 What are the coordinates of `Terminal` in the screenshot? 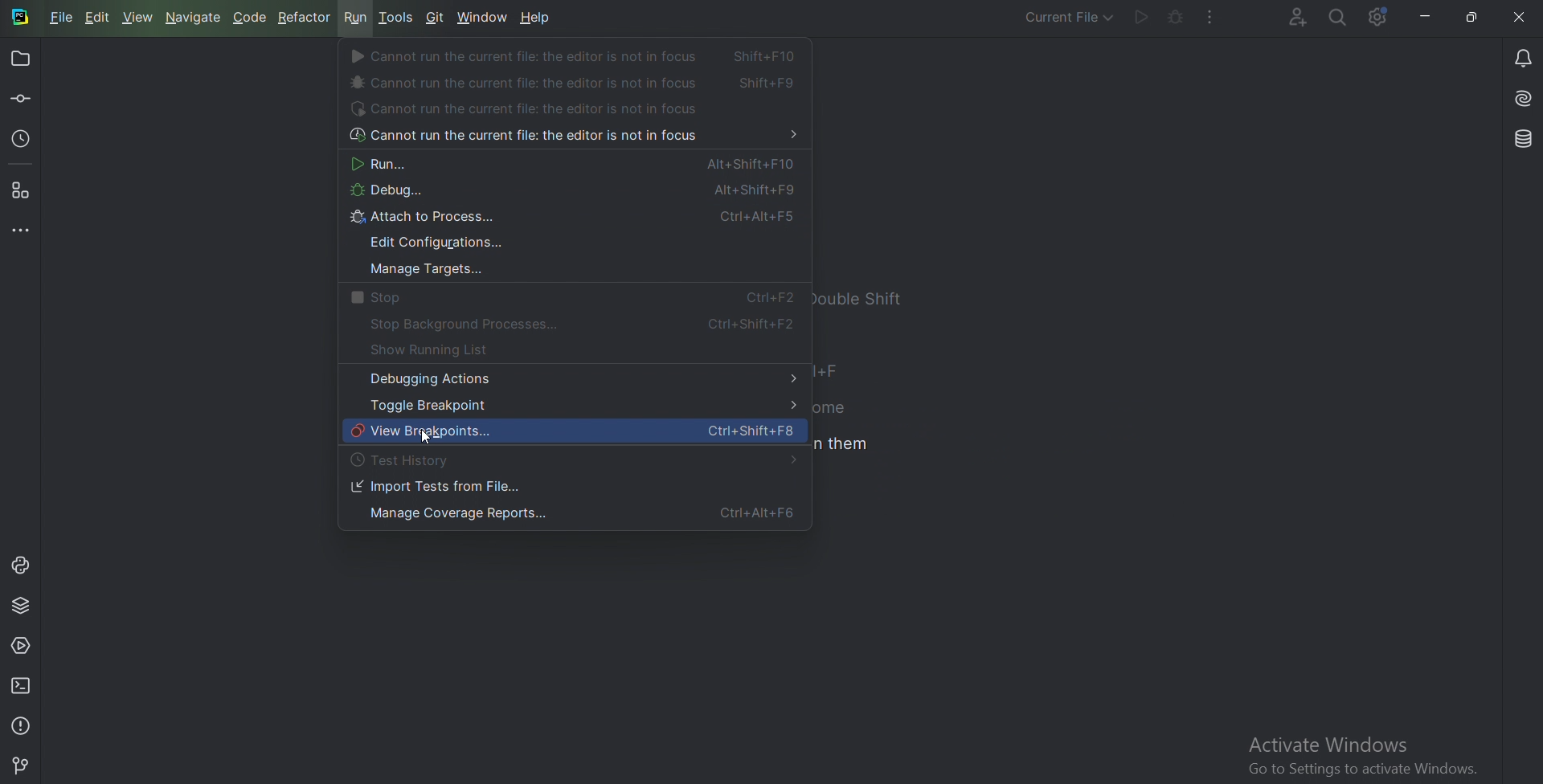 It's located at (23, 685).